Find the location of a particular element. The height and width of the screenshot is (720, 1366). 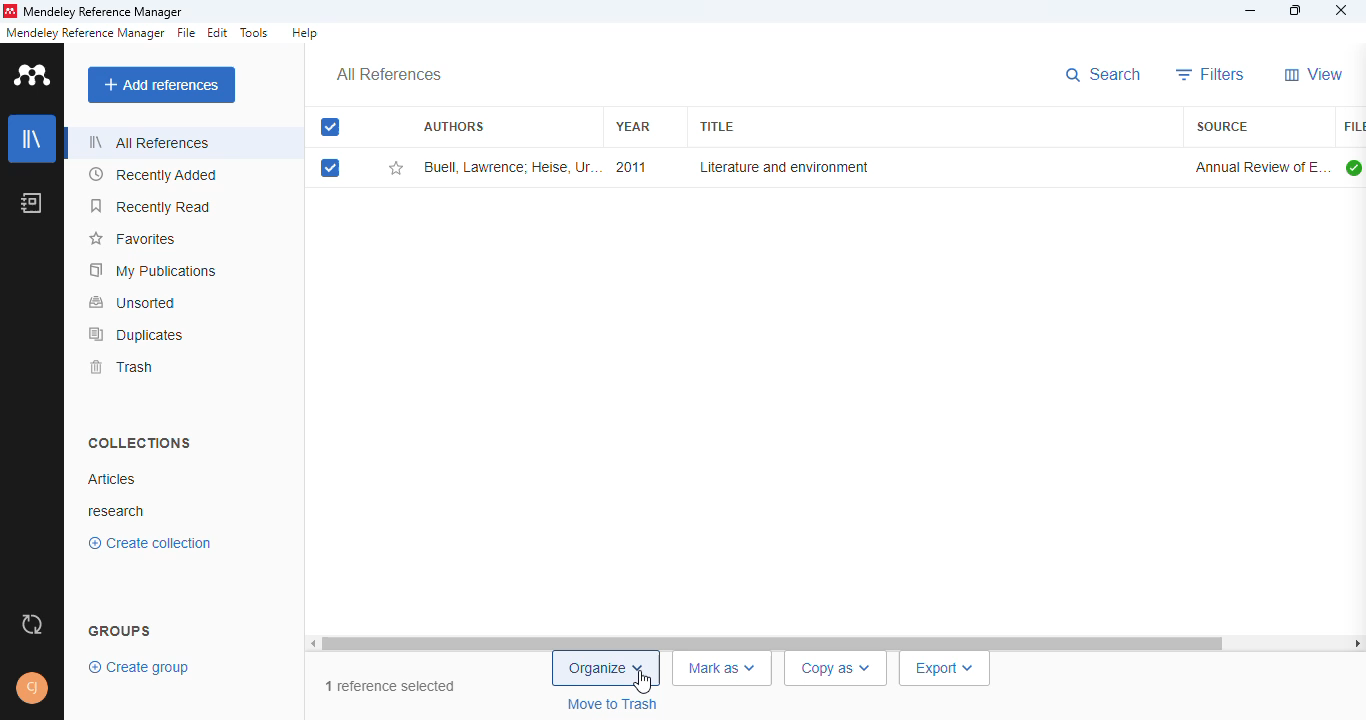

2011 is located at coordinates (630, 167).